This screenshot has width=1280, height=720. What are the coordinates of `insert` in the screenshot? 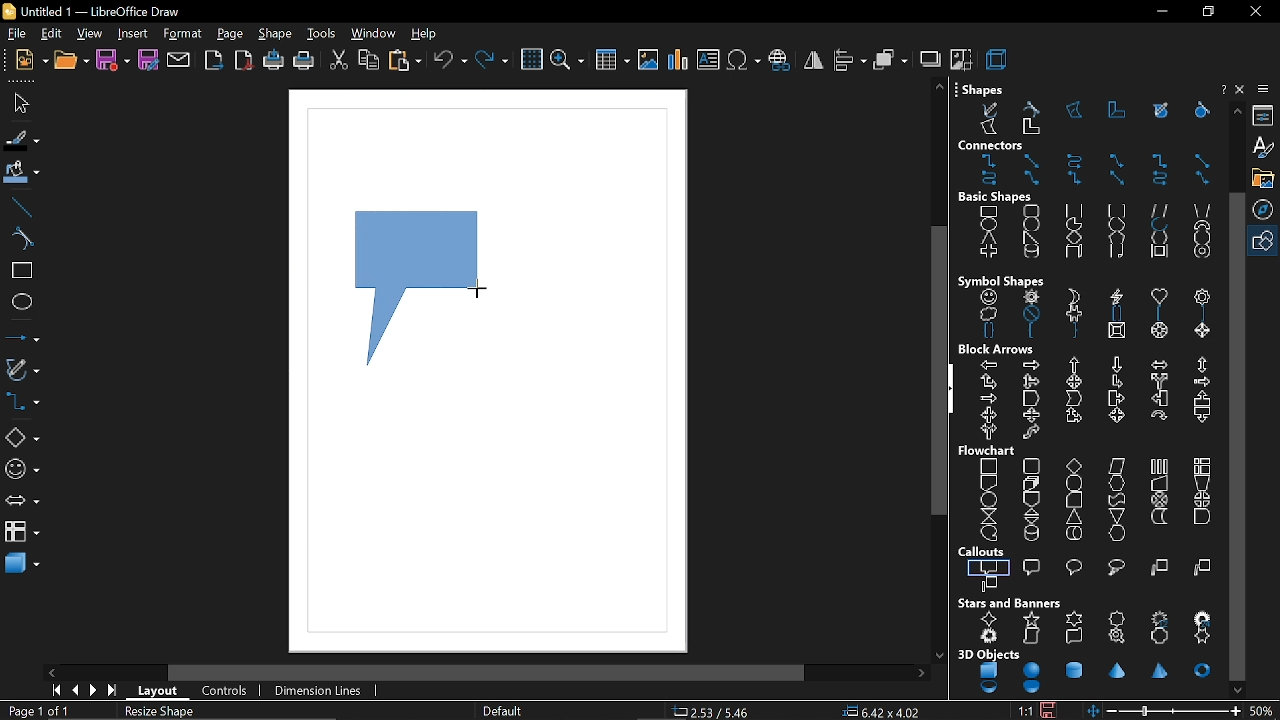 It's located at (134, 34).